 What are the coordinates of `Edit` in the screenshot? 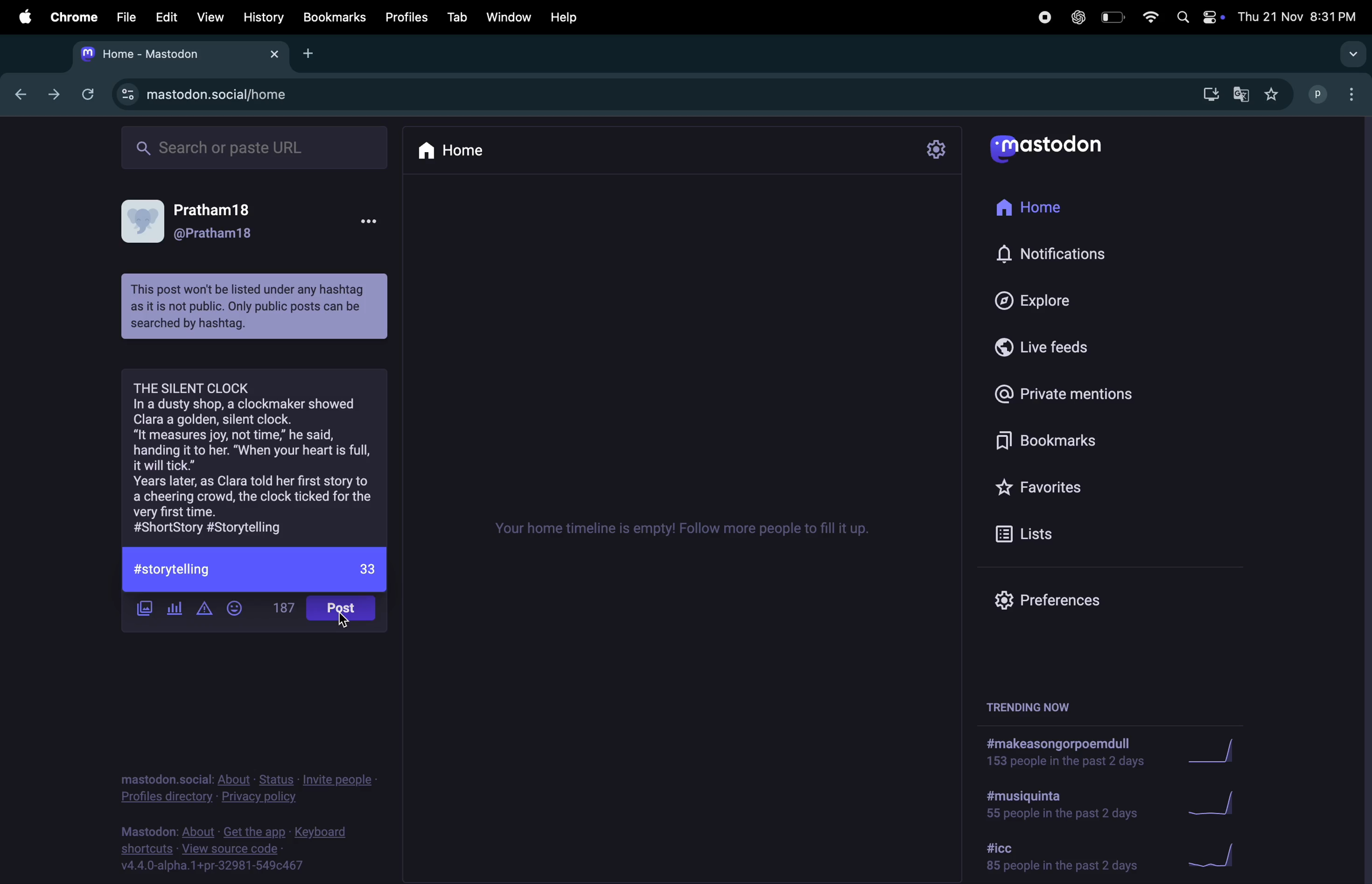 It's located at (166, 14).